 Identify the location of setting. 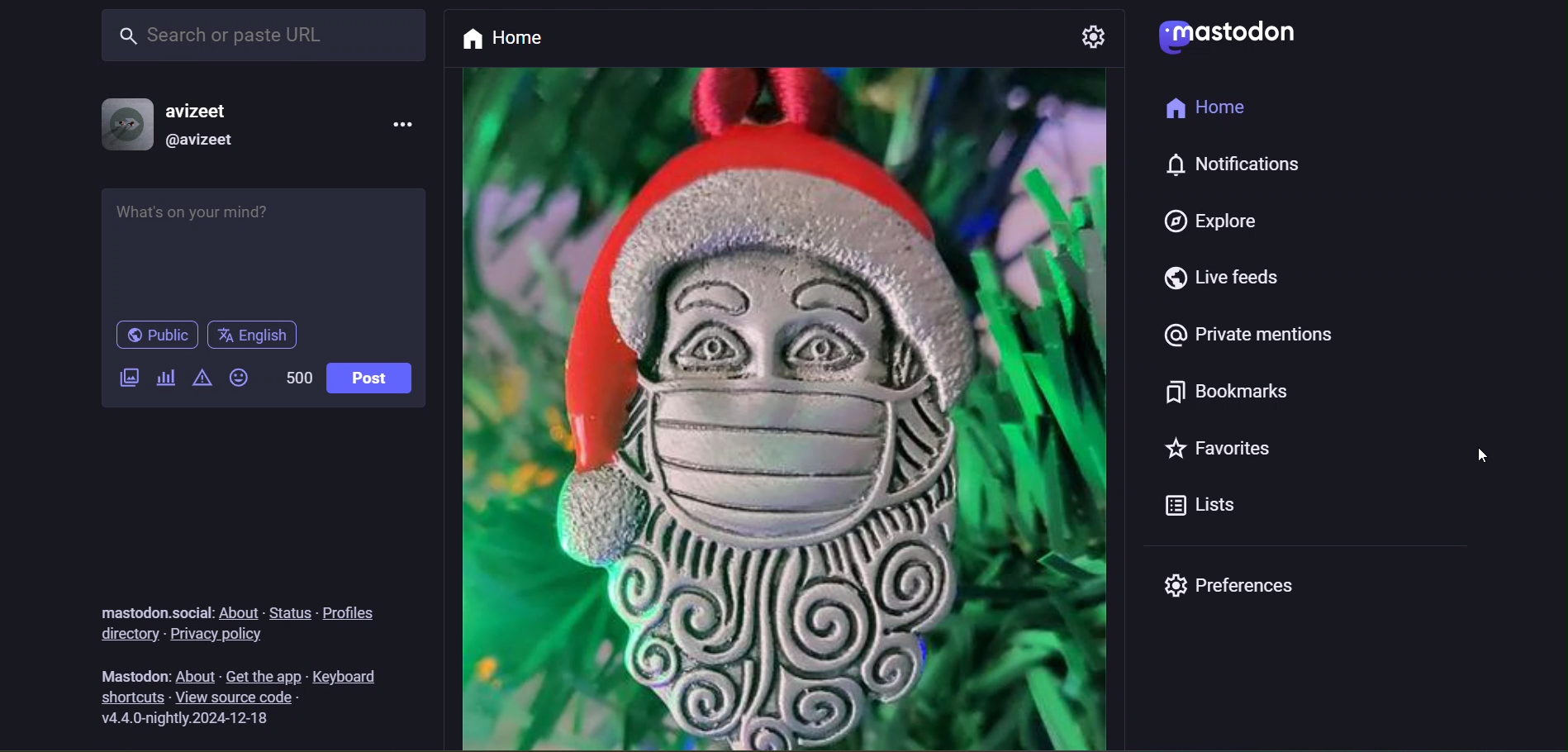
(1091, 33).